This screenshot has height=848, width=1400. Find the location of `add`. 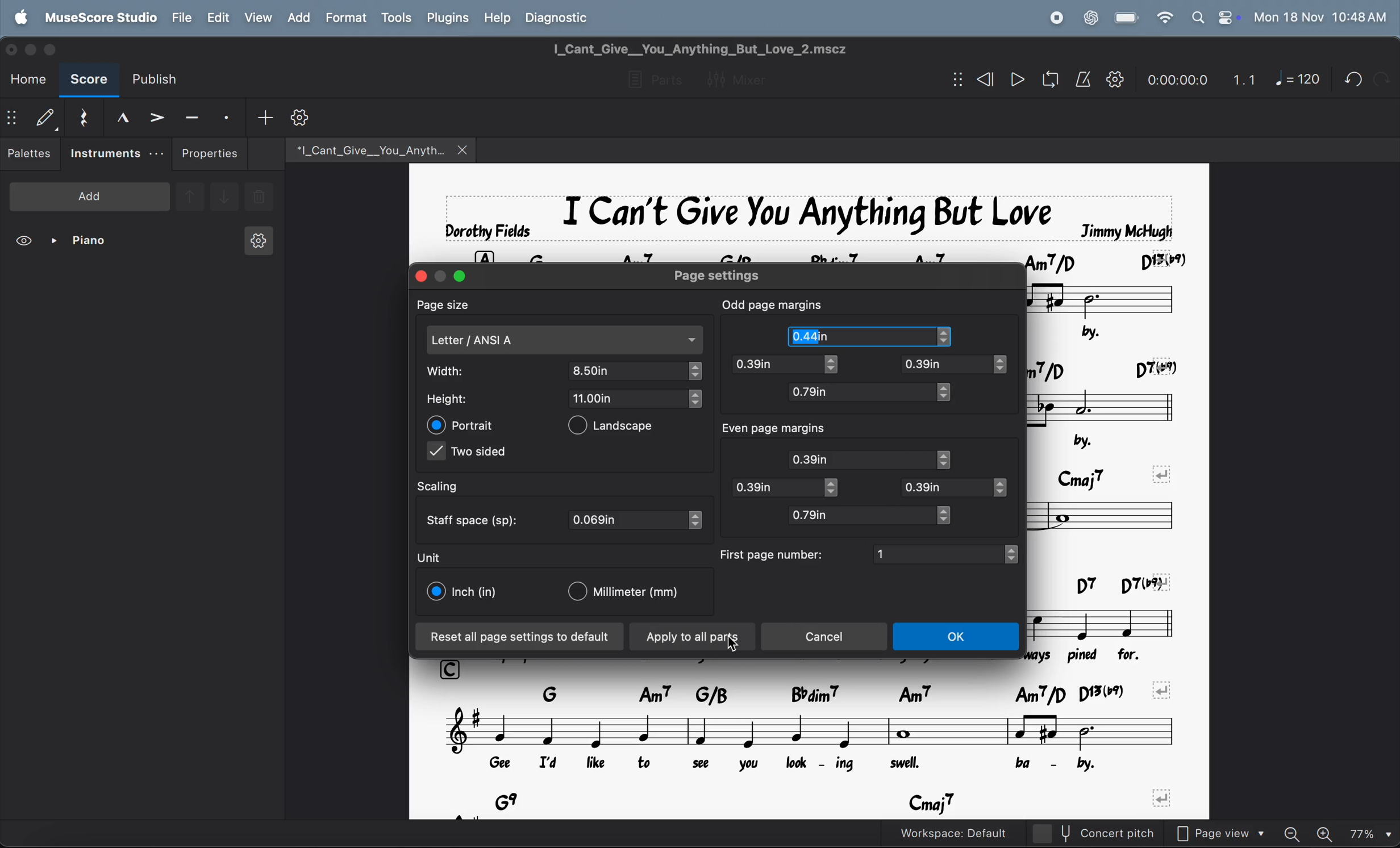

add is located at coordinates (90, 195).